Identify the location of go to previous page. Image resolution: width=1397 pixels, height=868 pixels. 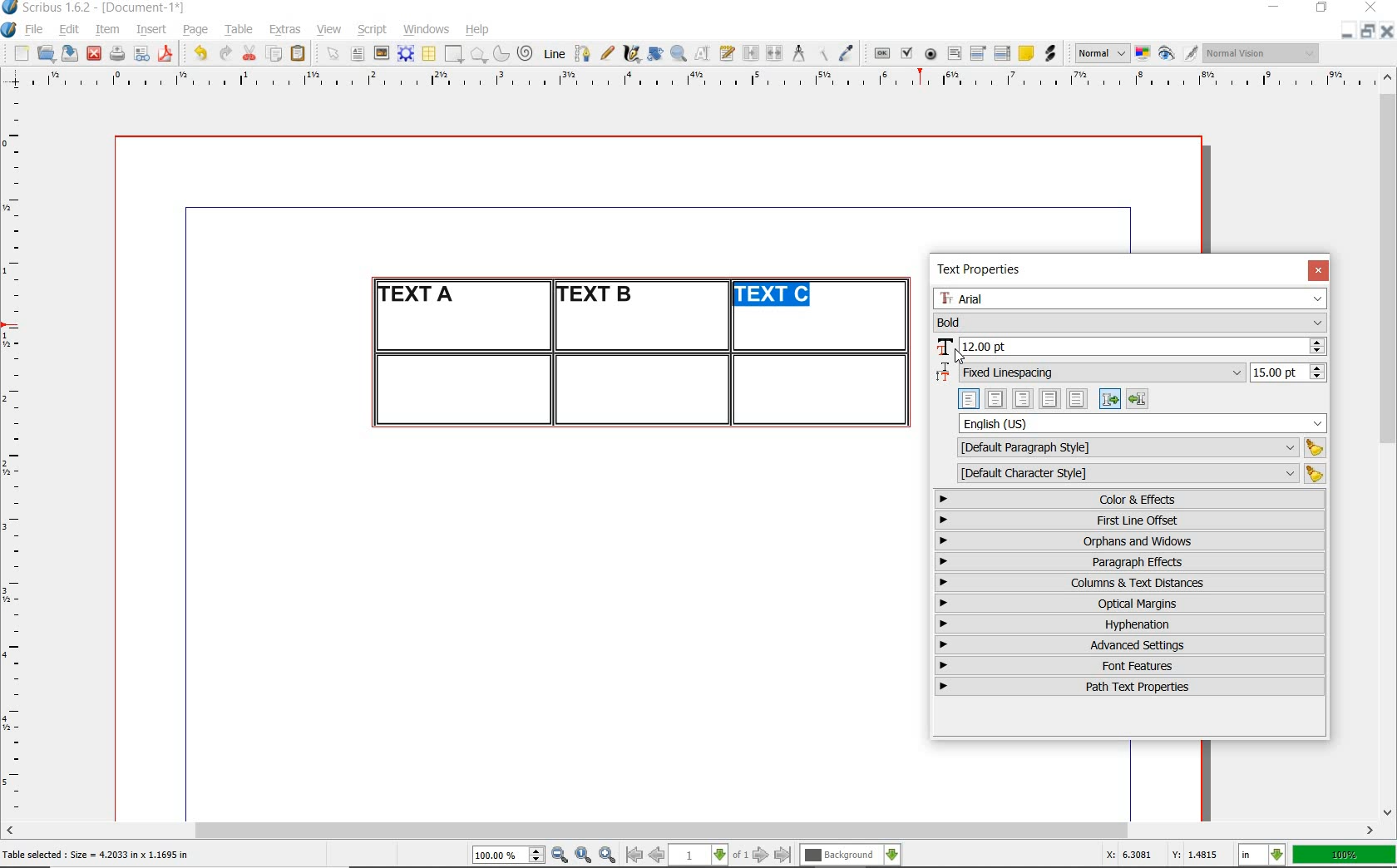
(656, 856).